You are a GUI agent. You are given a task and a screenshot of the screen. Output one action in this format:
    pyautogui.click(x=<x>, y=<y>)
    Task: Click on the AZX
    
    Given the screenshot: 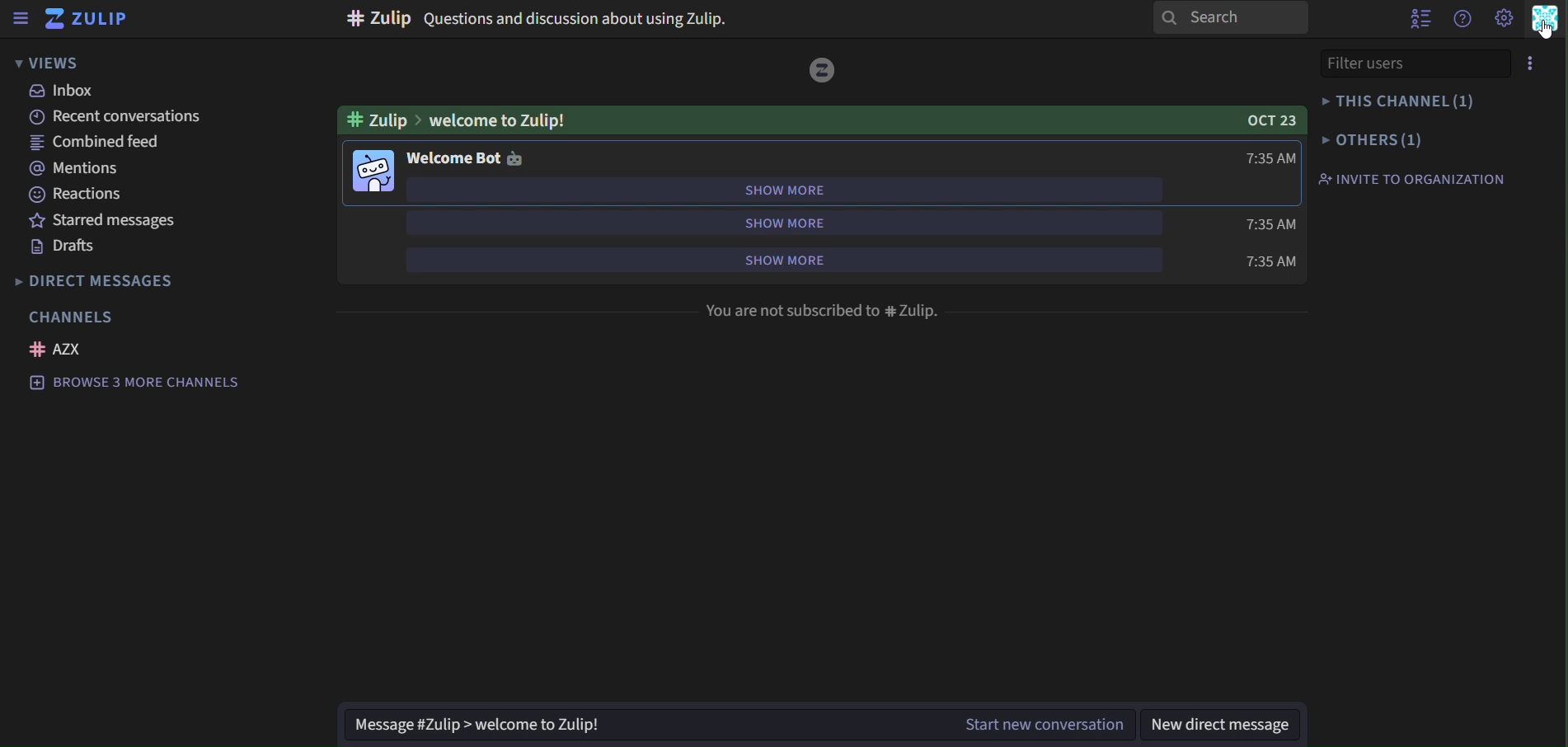 What is the action you would take?
    pyautogui.click(x=61, y=350)
    